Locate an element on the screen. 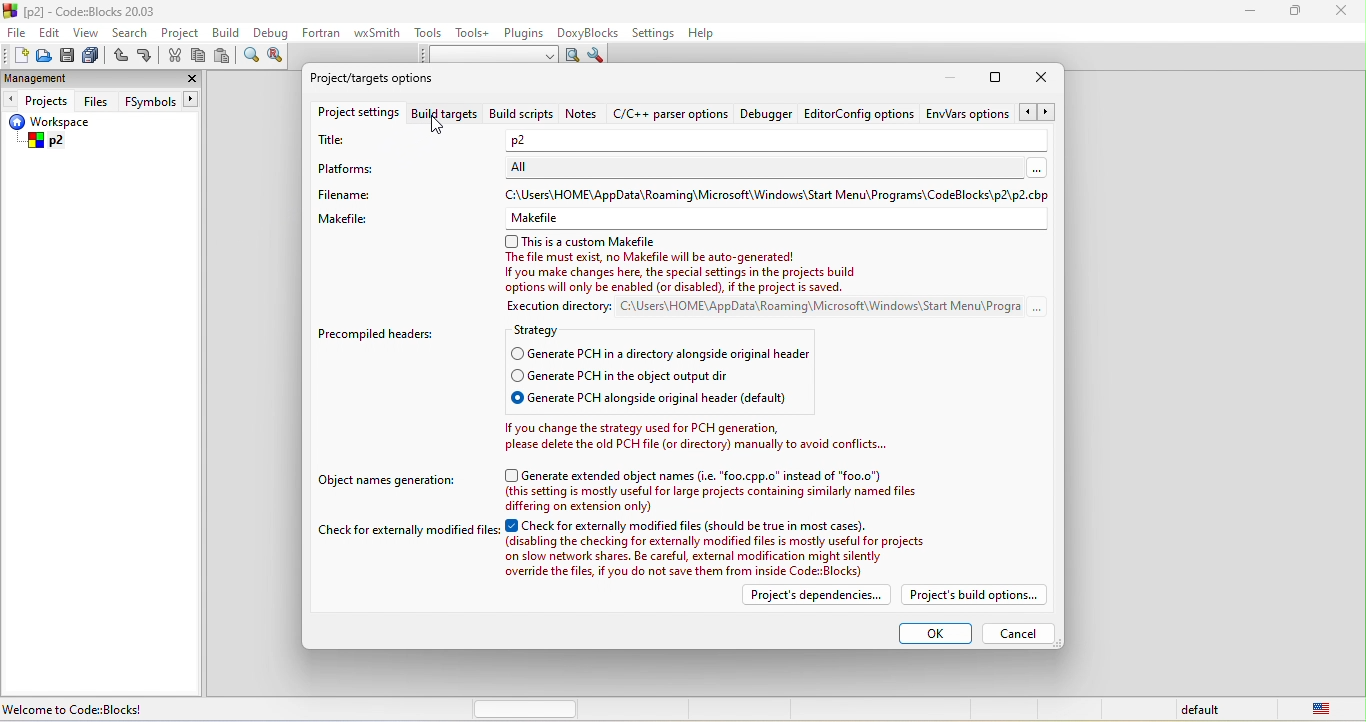 The width and height of the screenshot is (1366, 722). fortran is located at coordinates (324, 36).